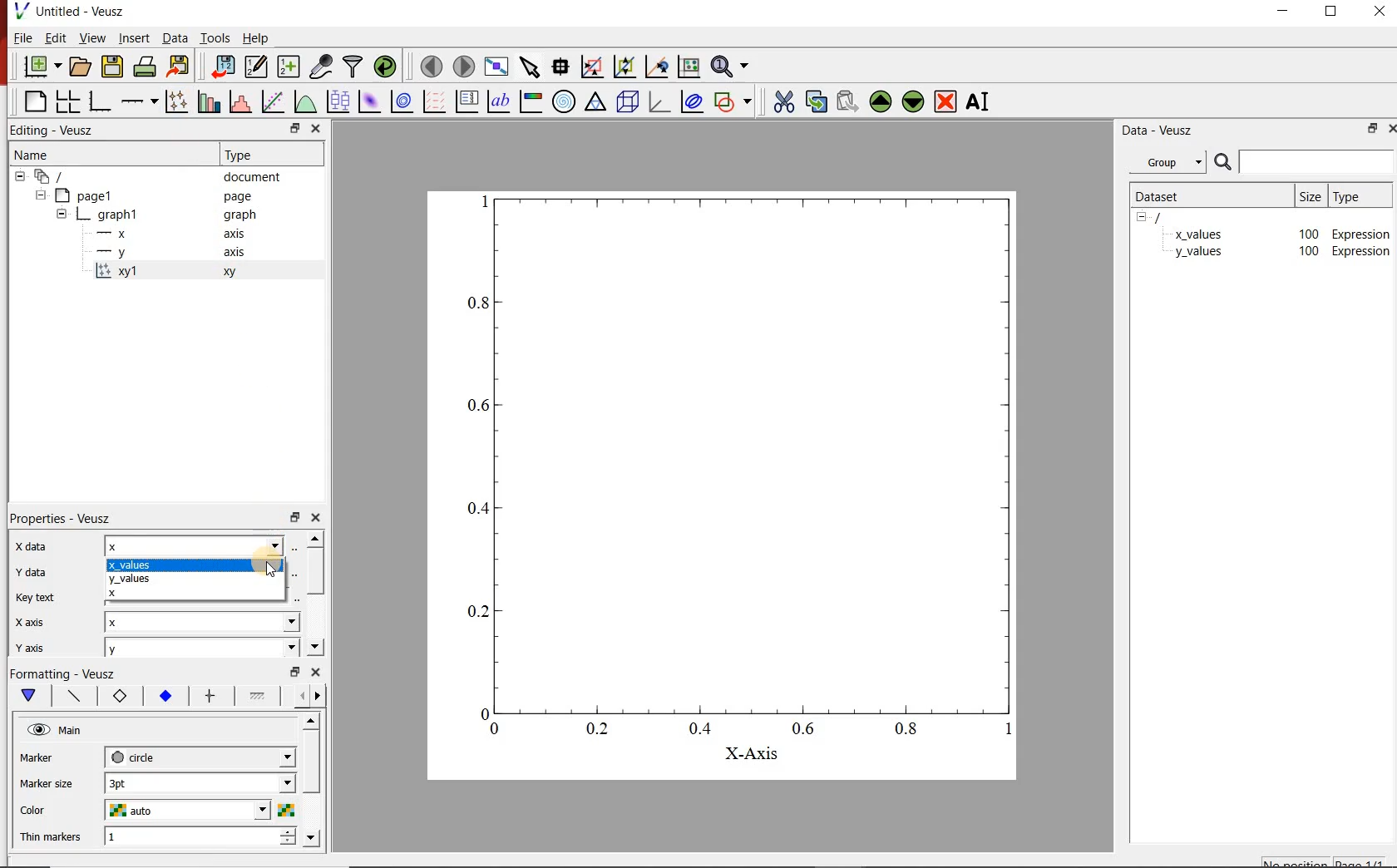  Describe the element at coordinates (629, 104) in the screenshot. I see `3d scene` at that location.